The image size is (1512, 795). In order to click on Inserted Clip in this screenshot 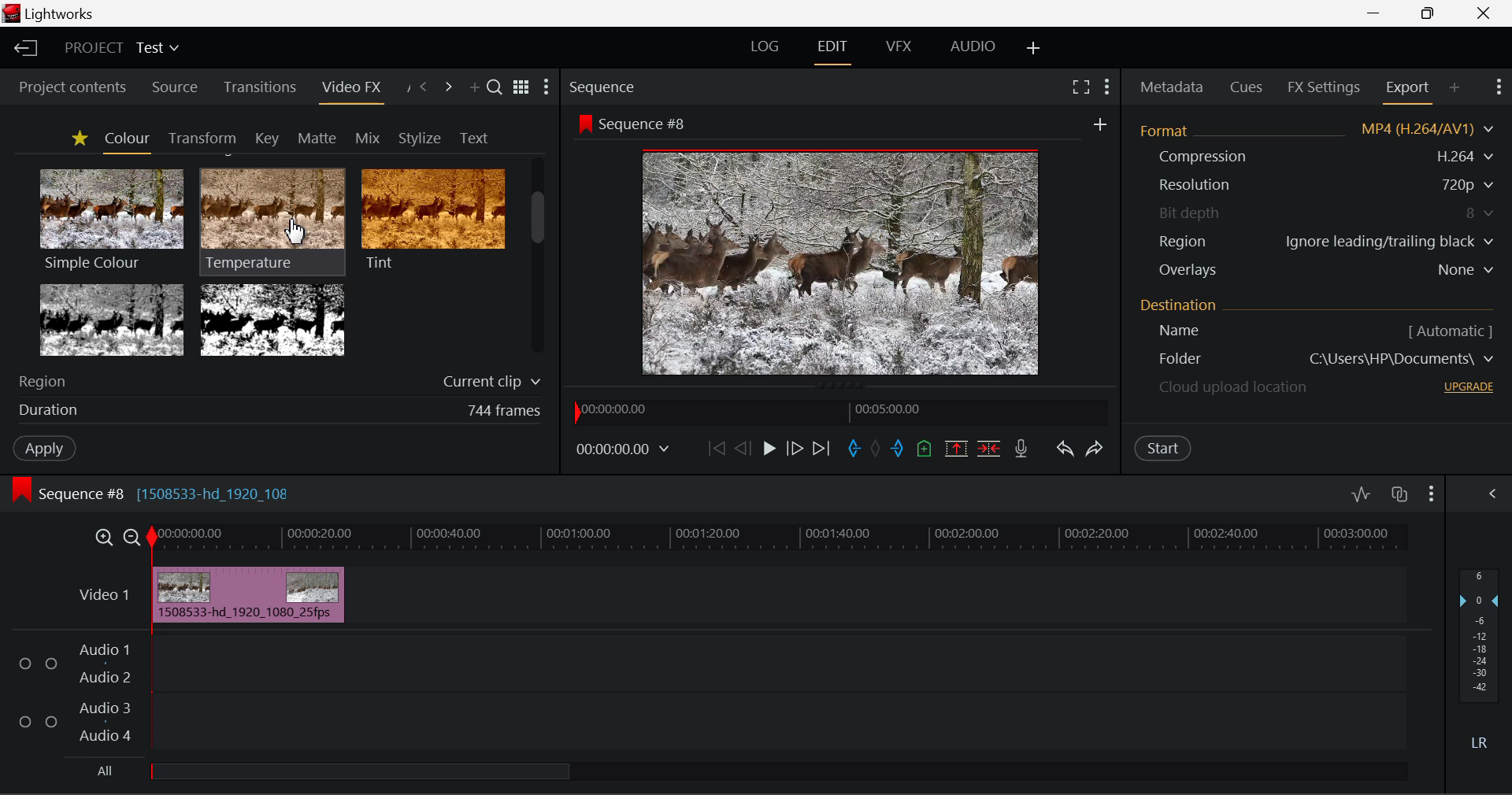, I will do `click(249, 594)`.